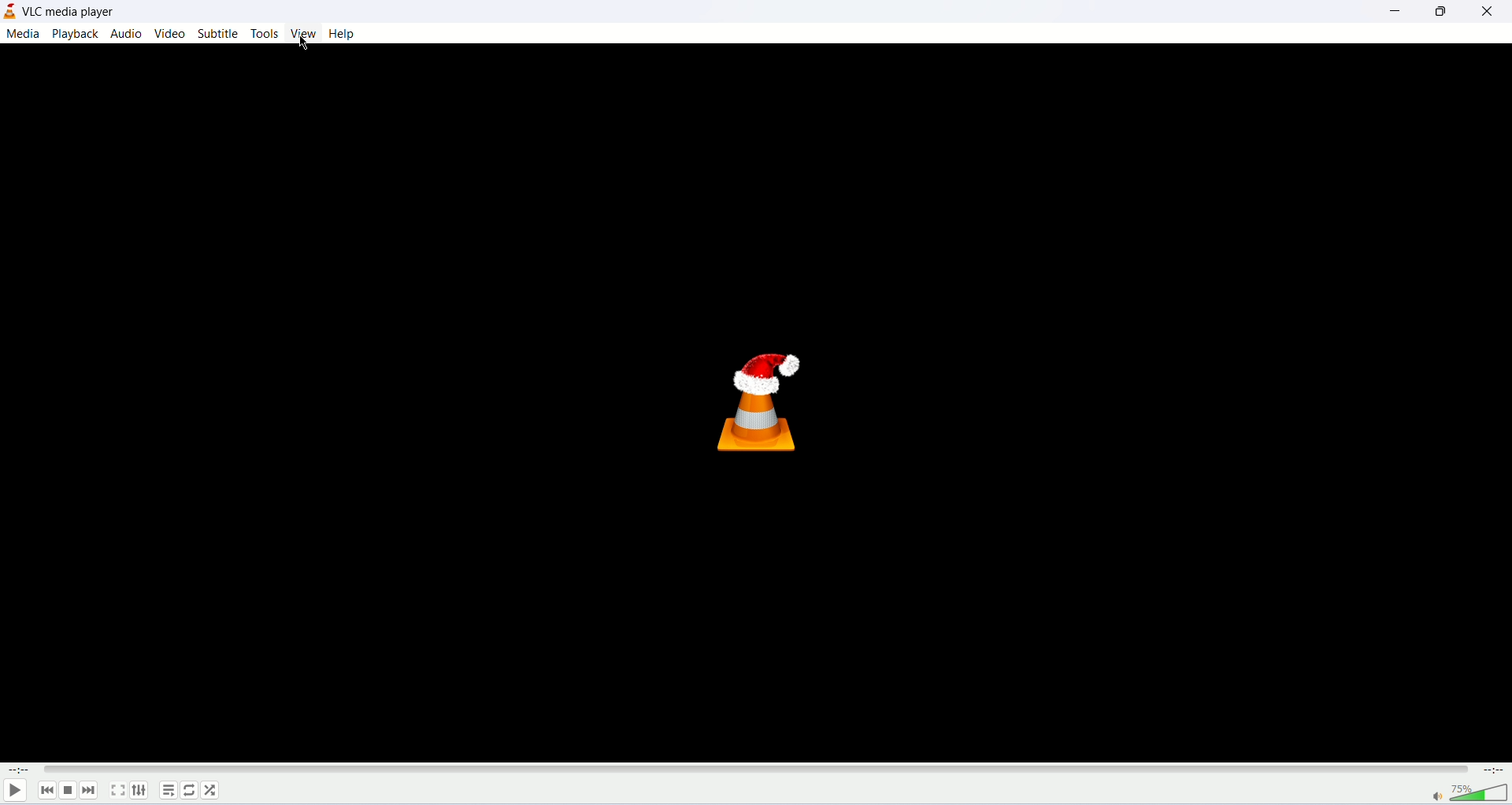  Describe the element at coordinates (67, 790) in the screenshot. I see `stop` at that location.